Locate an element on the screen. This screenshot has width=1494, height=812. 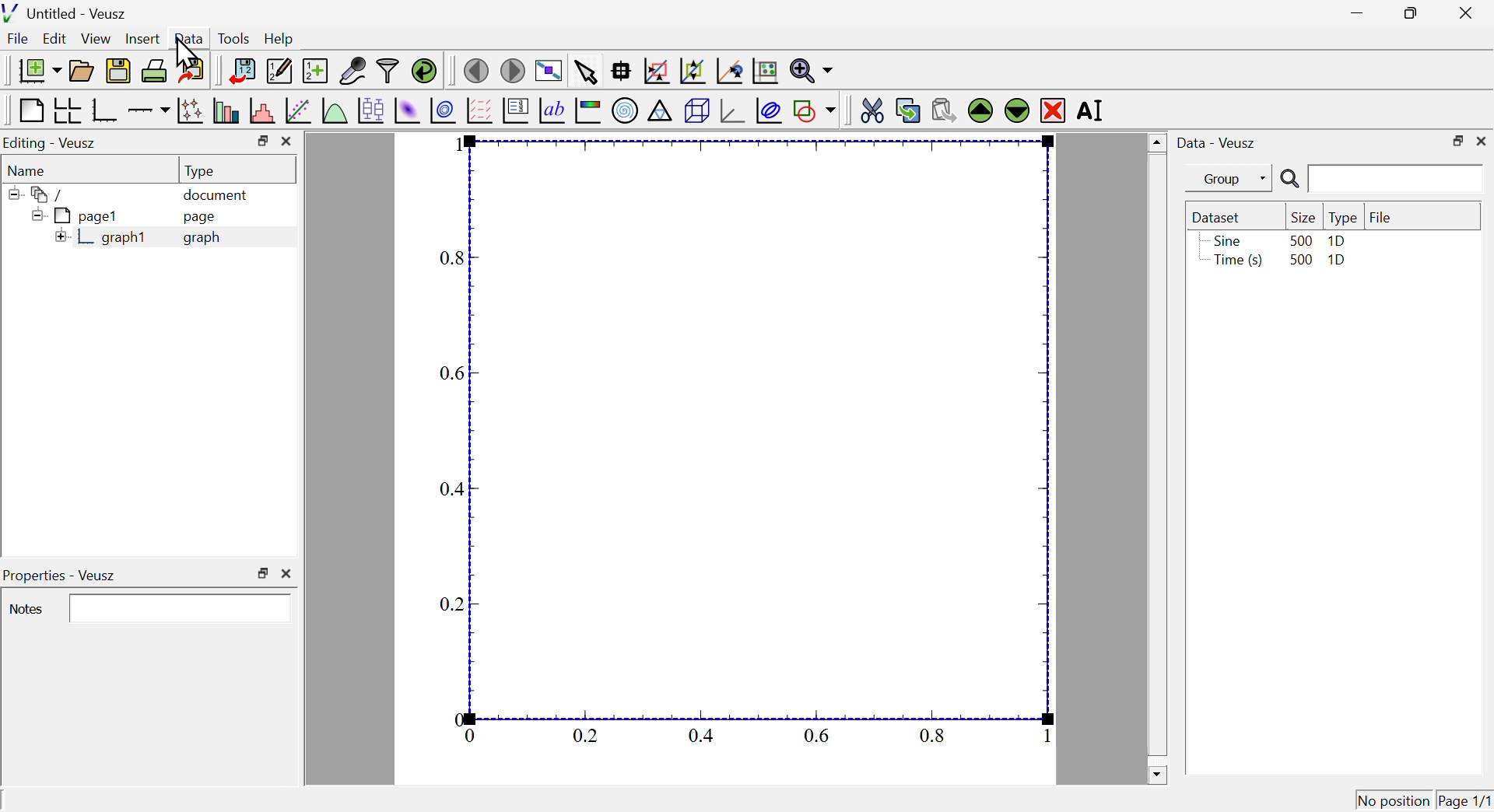
base graph is located at coordinates (105, 110).